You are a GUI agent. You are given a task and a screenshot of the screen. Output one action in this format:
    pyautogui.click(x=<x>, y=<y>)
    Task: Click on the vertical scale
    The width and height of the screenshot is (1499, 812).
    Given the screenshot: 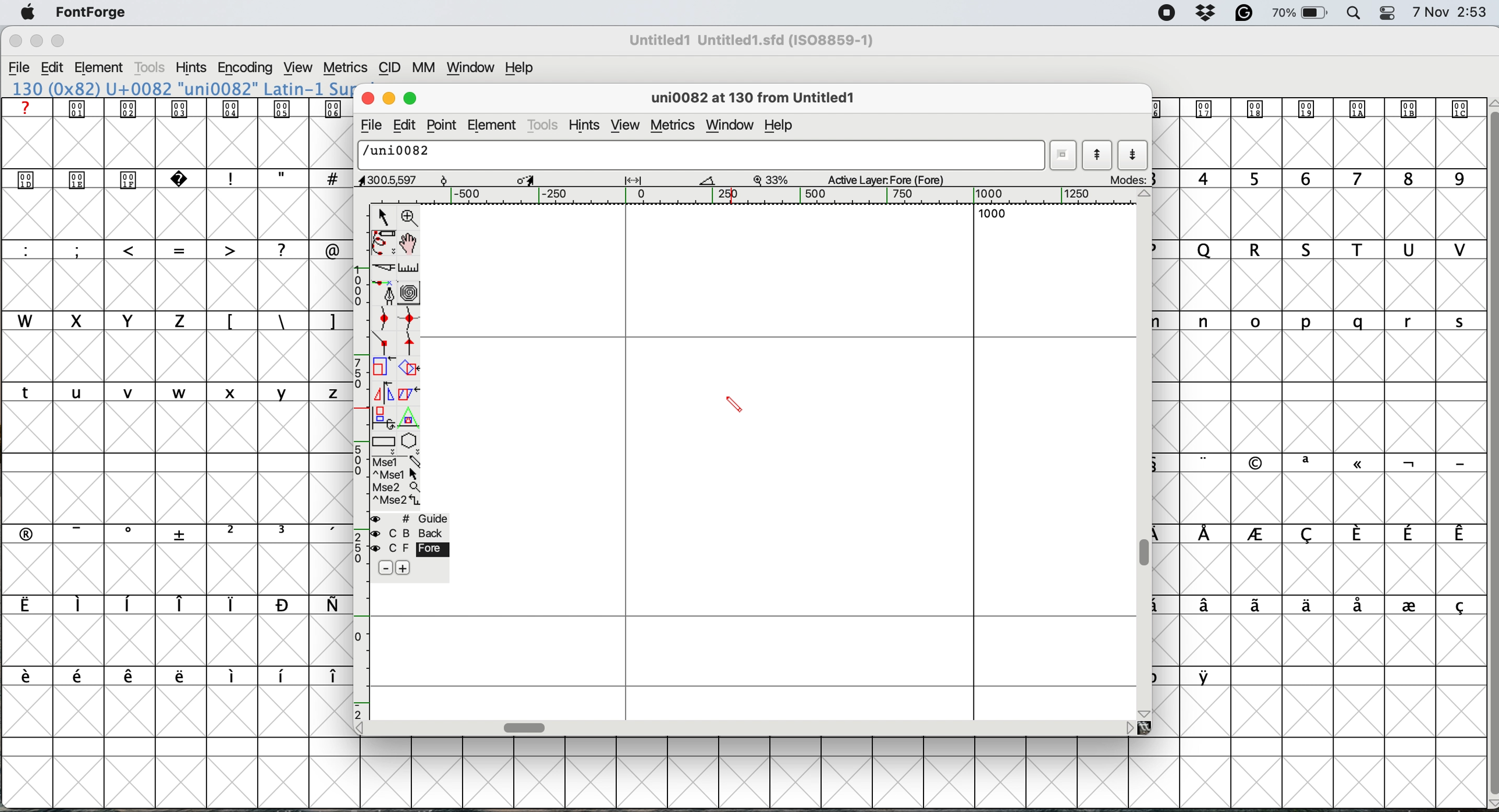 What is the action you would take?
    pyautogui.click(x=358, y=461)
    